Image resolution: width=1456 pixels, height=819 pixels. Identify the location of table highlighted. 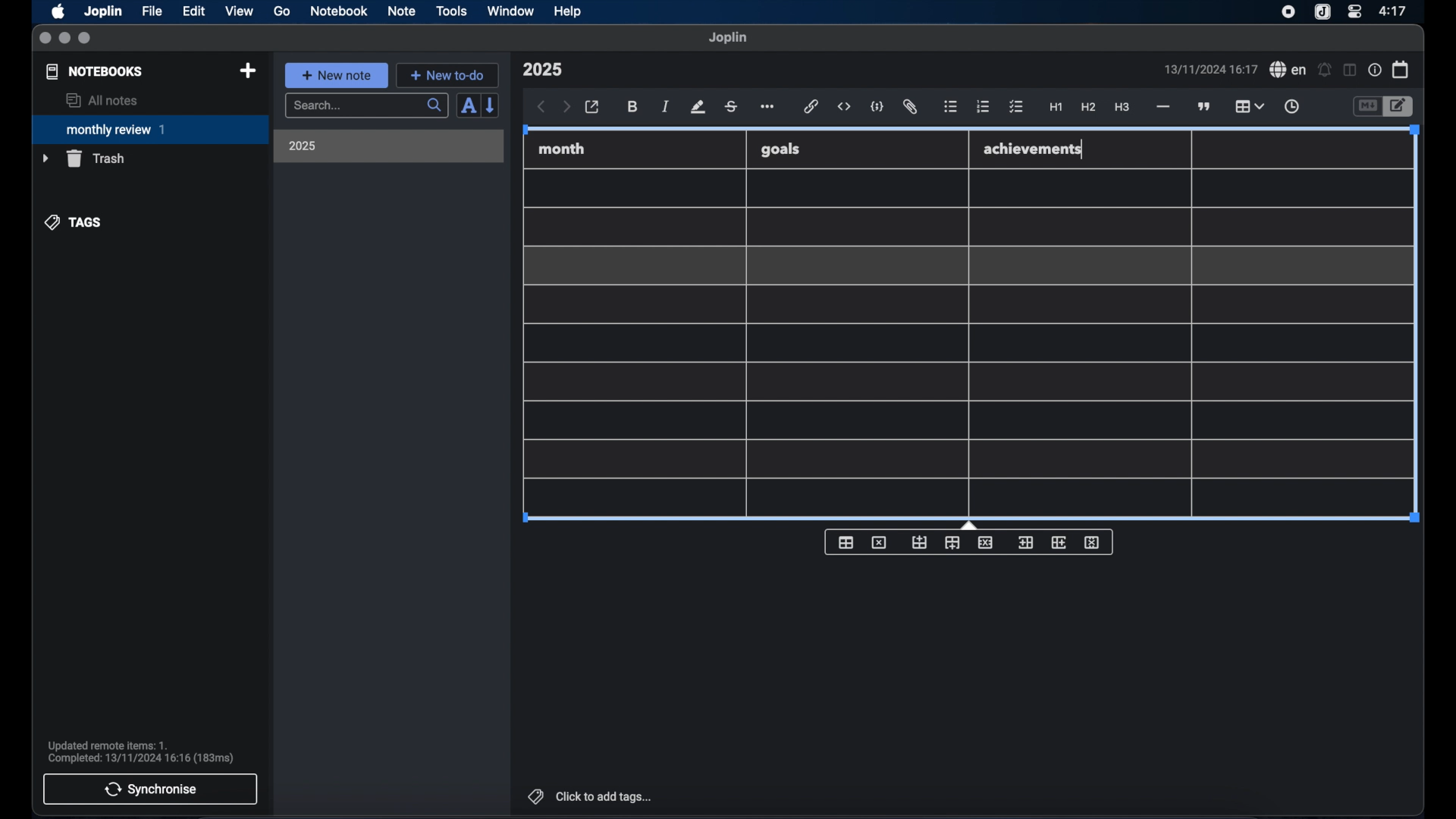
(1247, 106).